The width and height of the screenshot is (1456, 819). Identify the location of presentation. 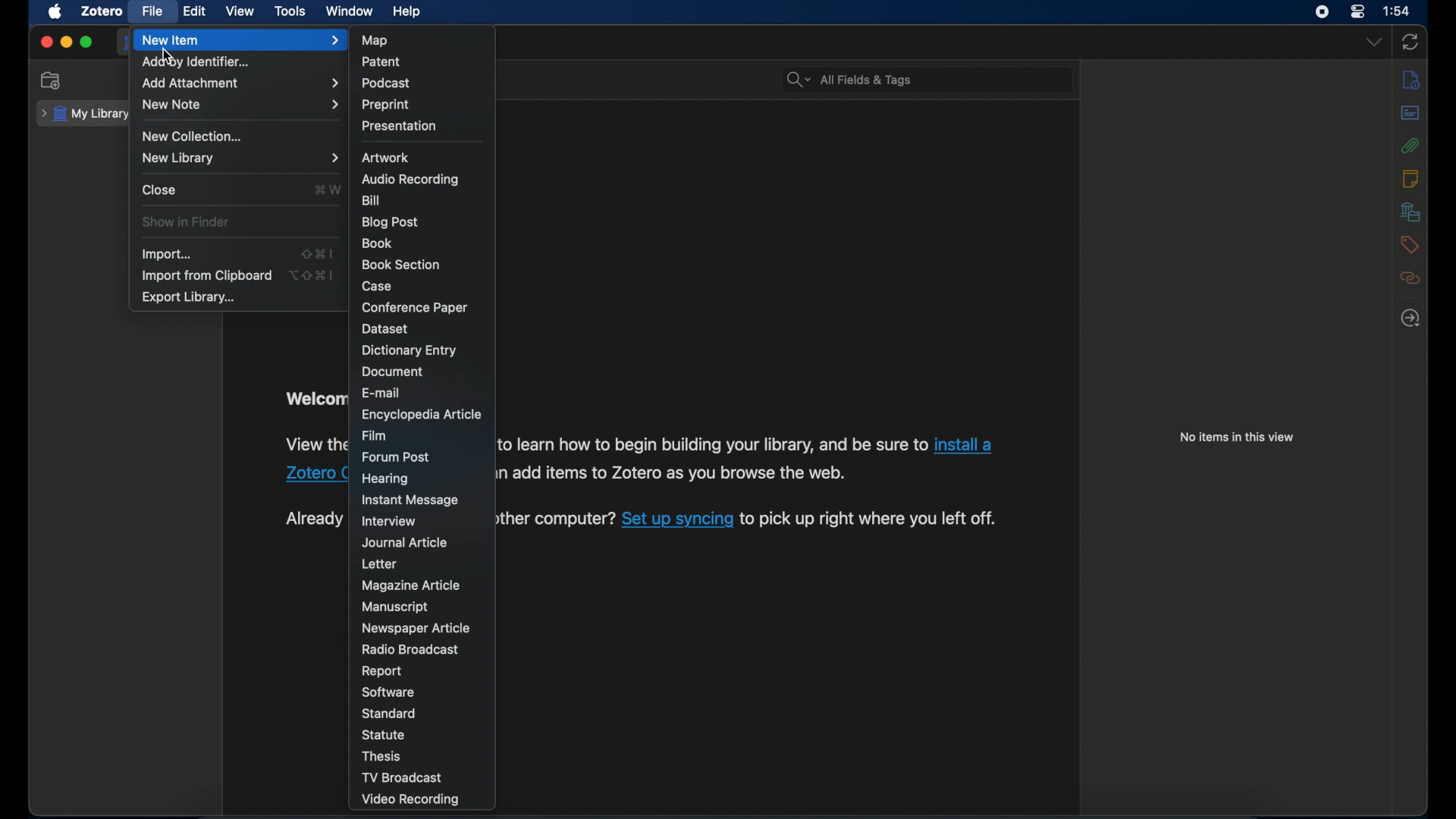
(400, 125).